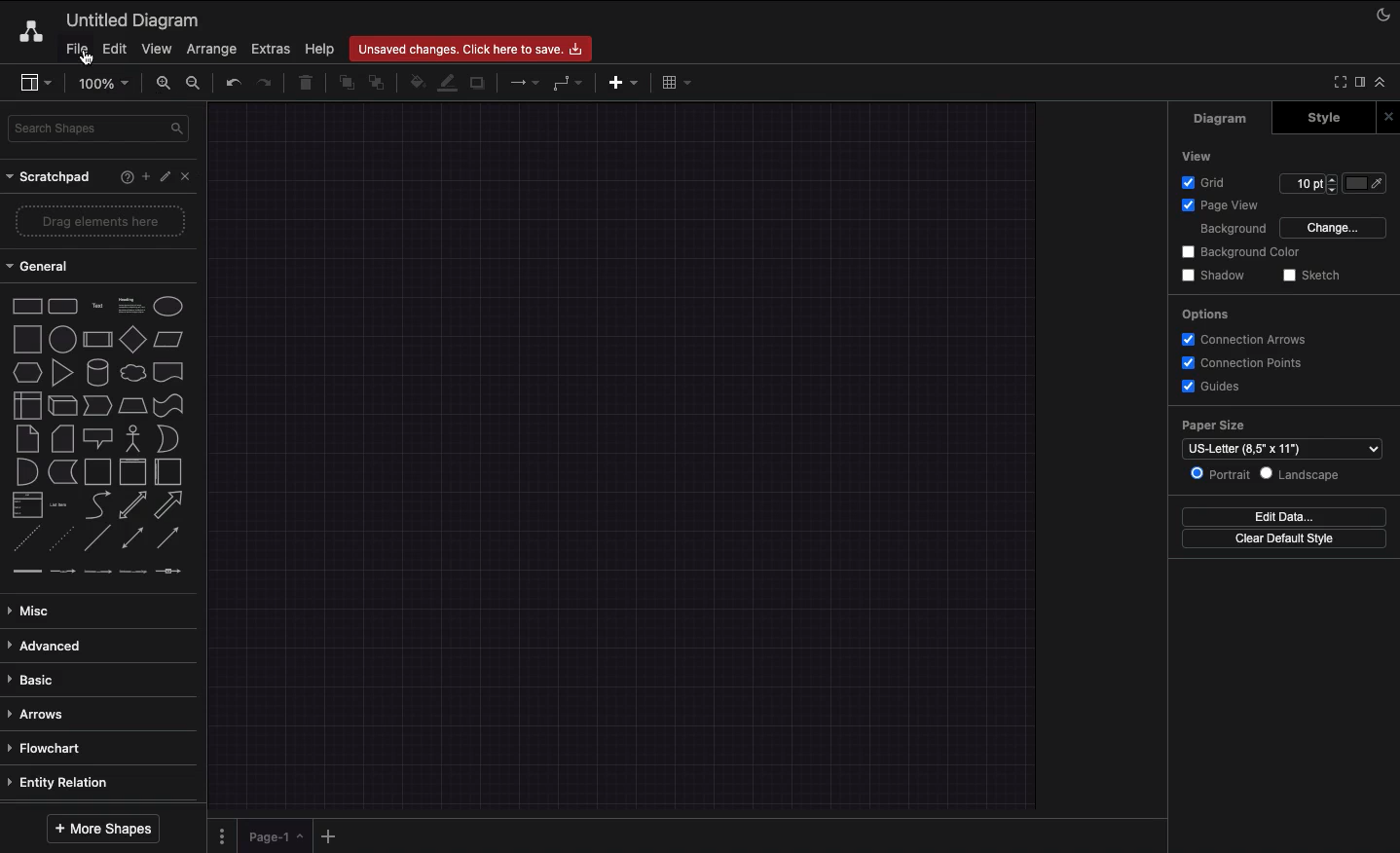  I want to click on Diagram, so click(1222, 118).